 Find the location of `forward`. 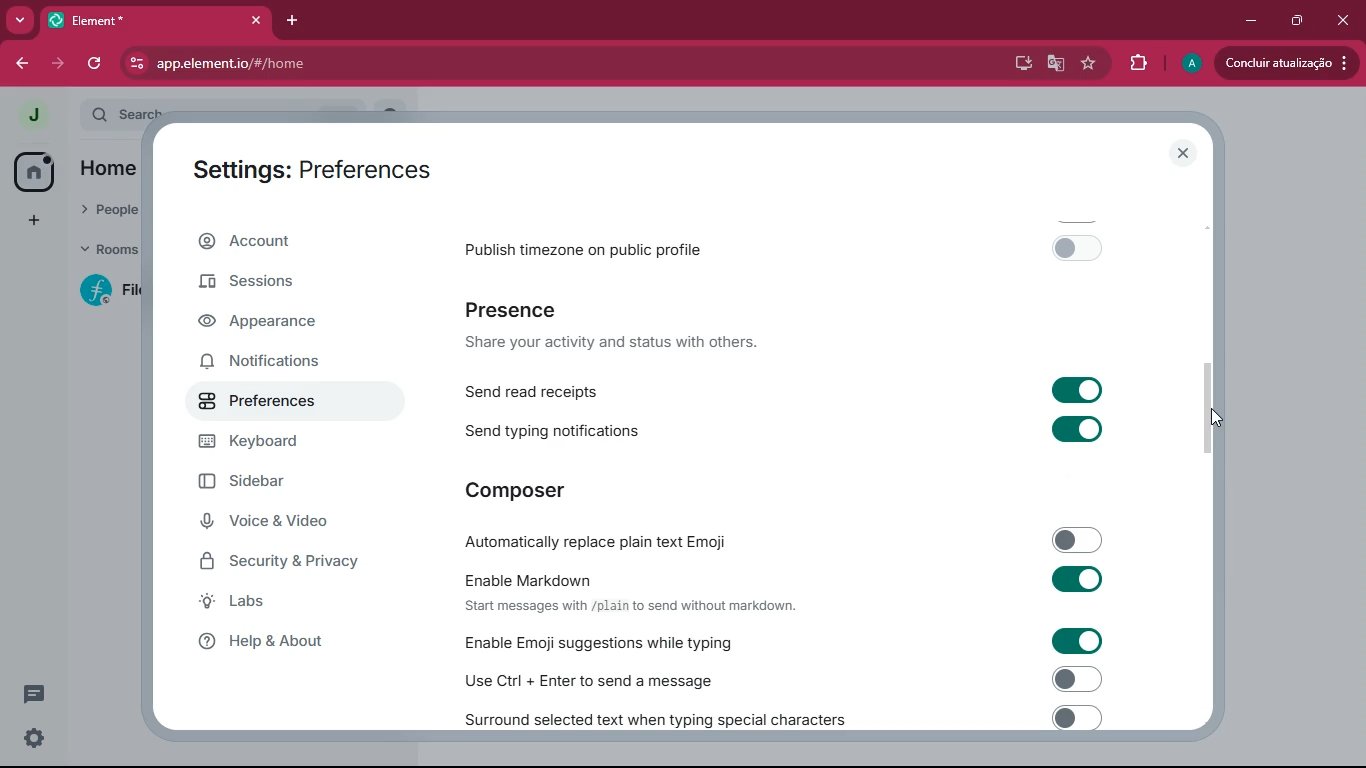

forward is located at coordinates (55, 64).